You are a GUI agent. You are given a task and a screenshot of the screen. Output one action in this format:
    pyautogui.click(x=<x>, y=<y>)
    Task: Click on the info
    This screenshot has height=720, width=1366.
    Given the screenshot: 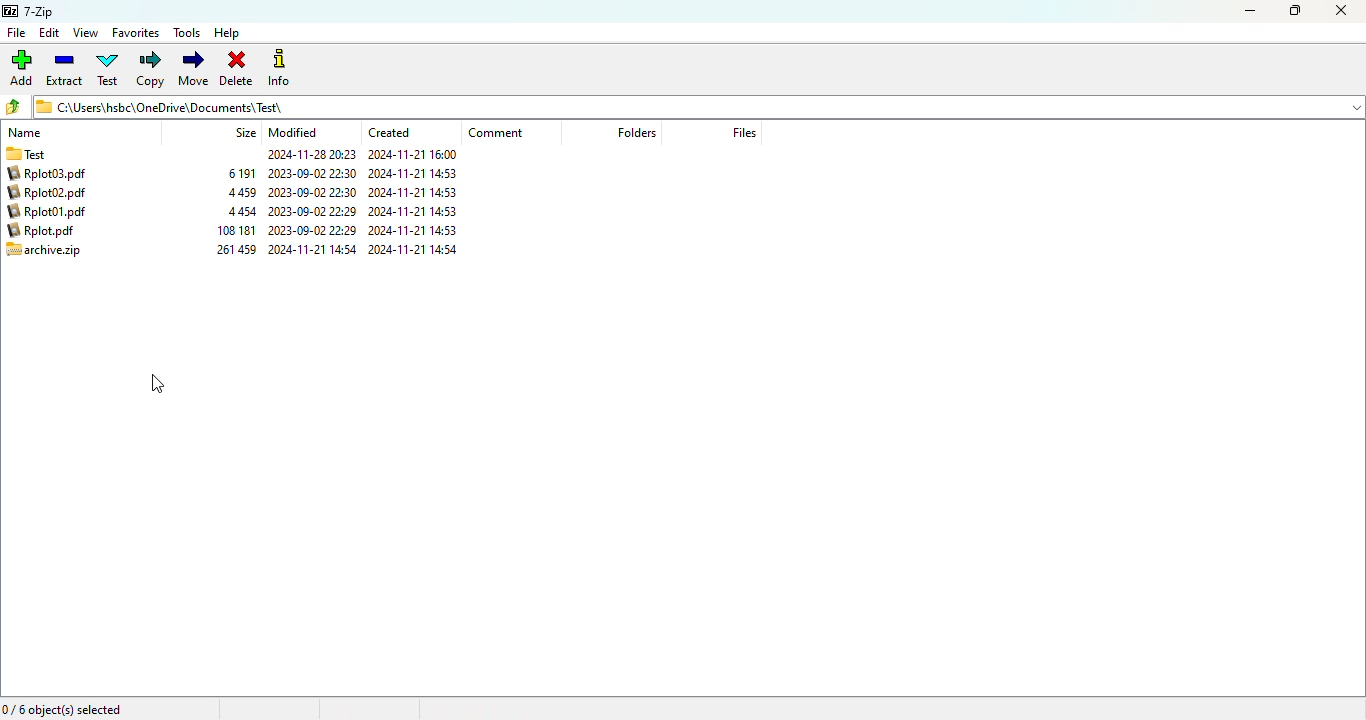 What is the action you would take?
    pyautogui.click(x=279, y=69)
    